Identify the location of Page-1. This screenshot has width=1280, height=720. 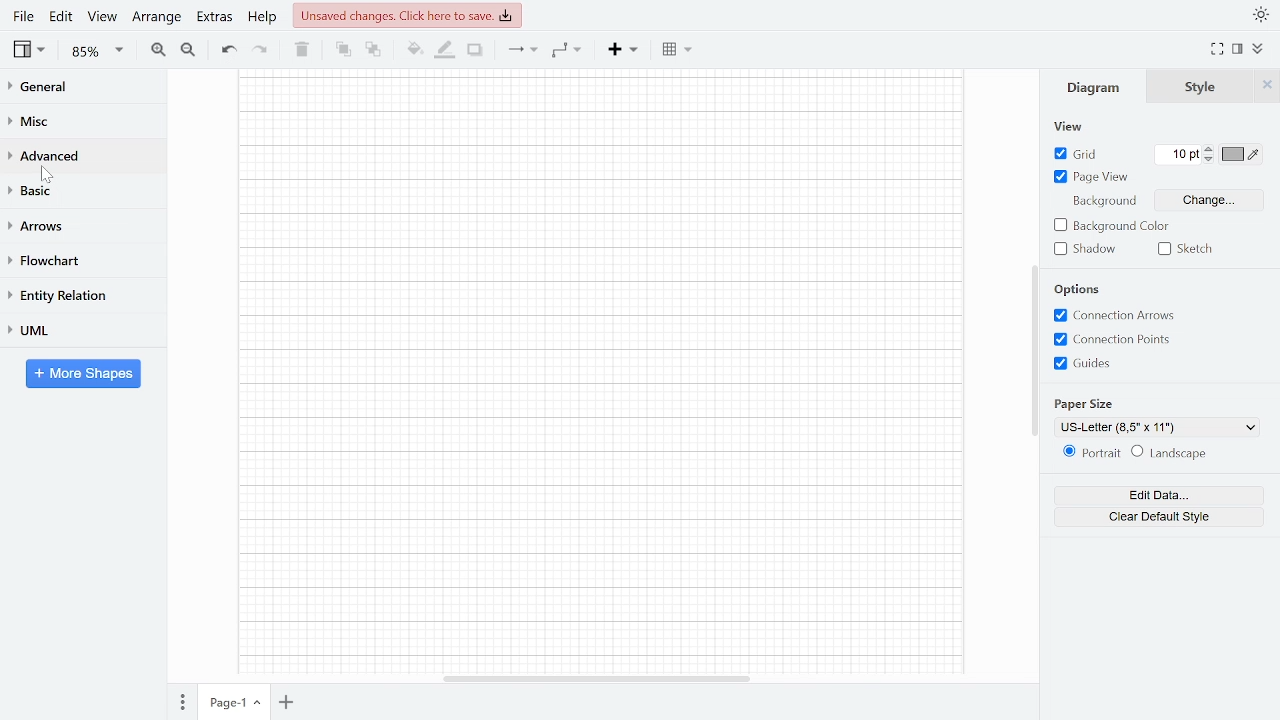
(234, 700).